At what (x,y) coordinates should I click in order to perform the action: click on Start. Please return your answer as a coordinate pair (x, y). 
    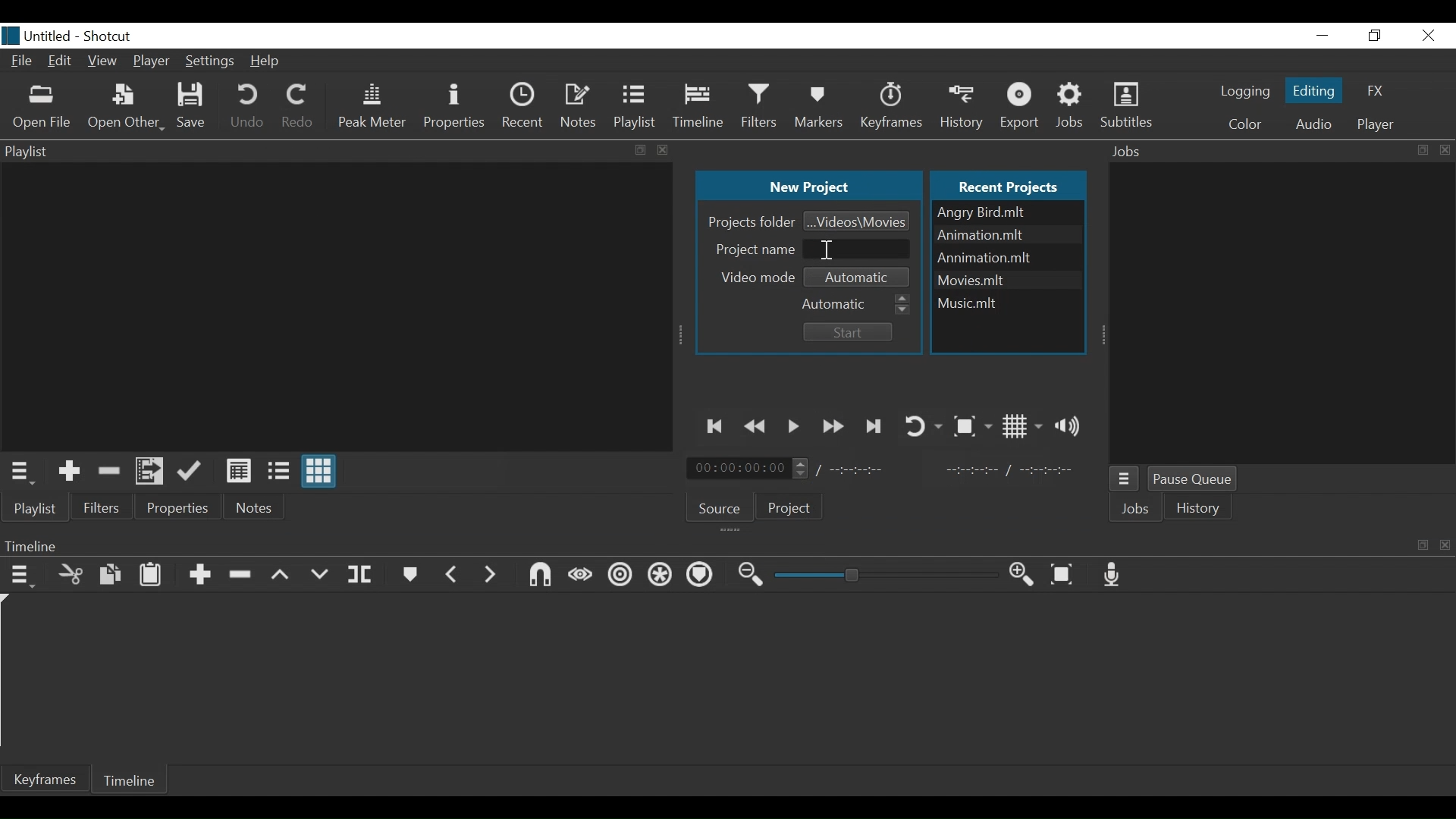
    Looking at the image, I should click on (845, 332).